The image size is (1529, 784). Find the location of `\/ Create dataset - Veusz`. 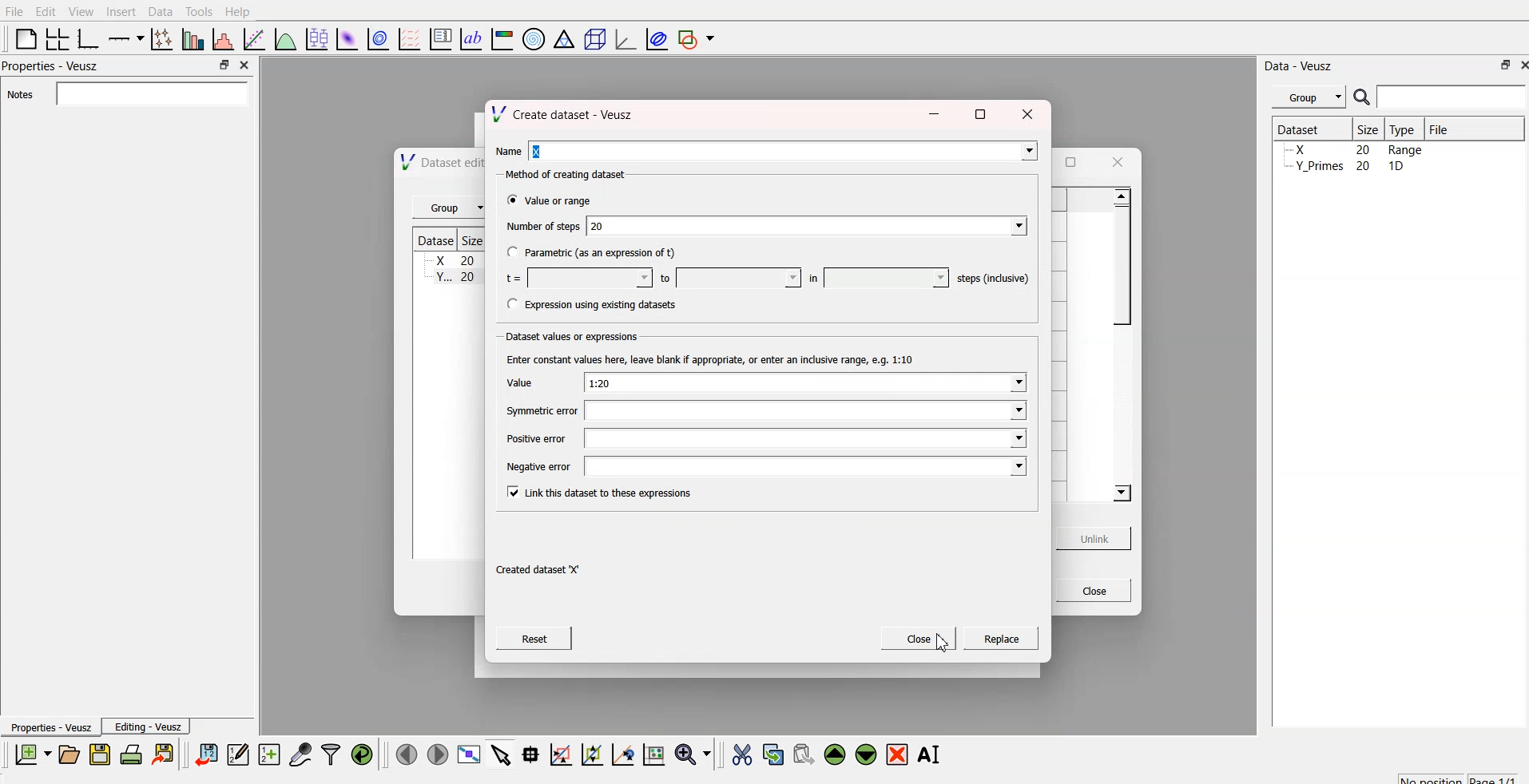

\/ Create dataset - Veusz is located at coordinates (574, 113).